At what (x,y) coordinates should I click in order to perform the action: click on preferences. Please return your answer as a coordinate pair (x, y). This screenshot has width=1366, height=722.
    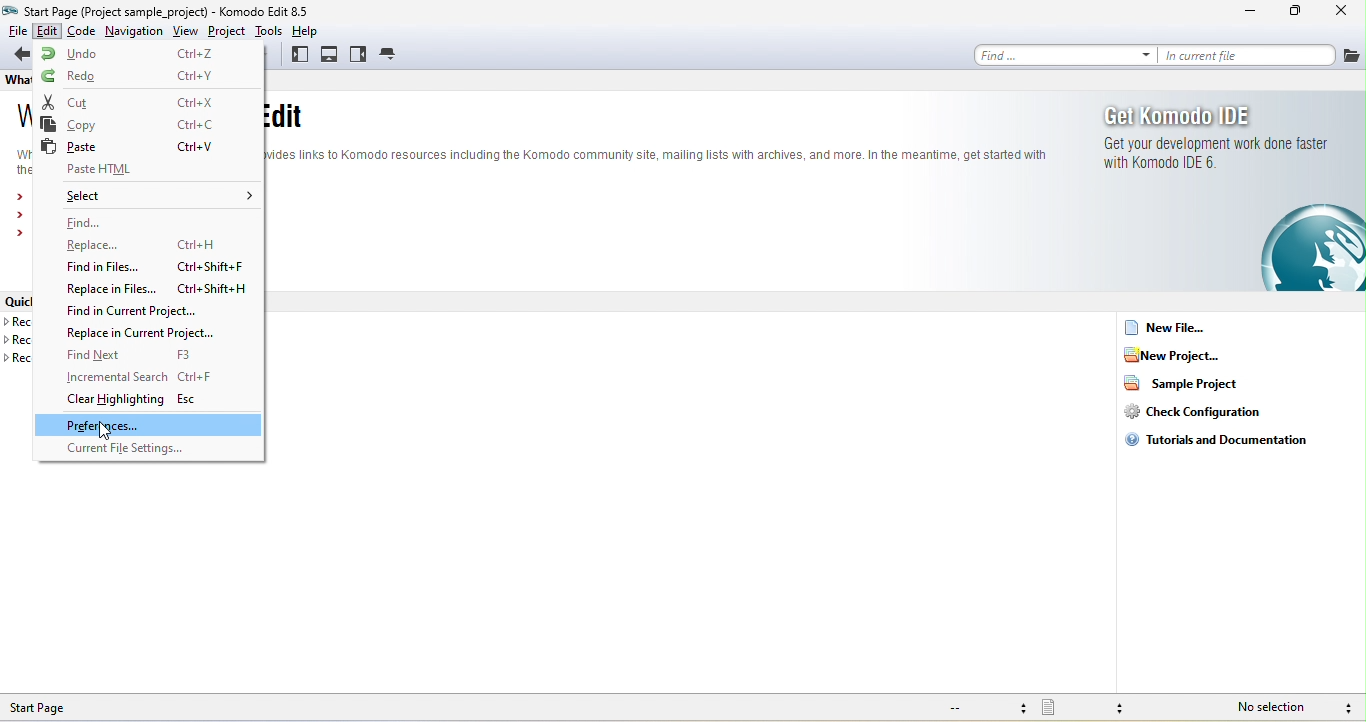
    Looking at the image, I should click on (148, 426).